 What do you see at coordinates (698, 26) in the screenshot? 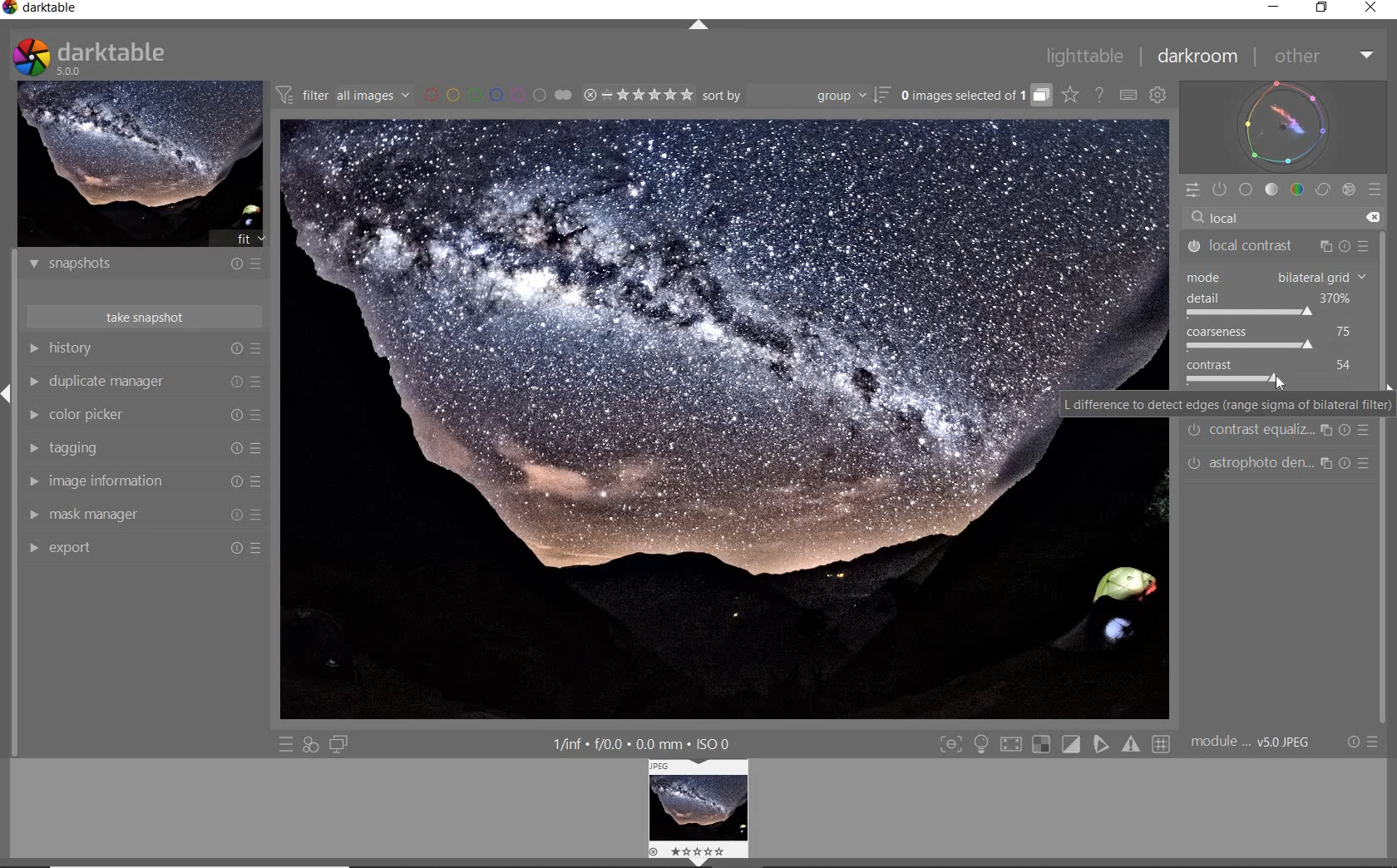
I see `EXPAND/COLLAPSE` at bounding box center [698, 26].